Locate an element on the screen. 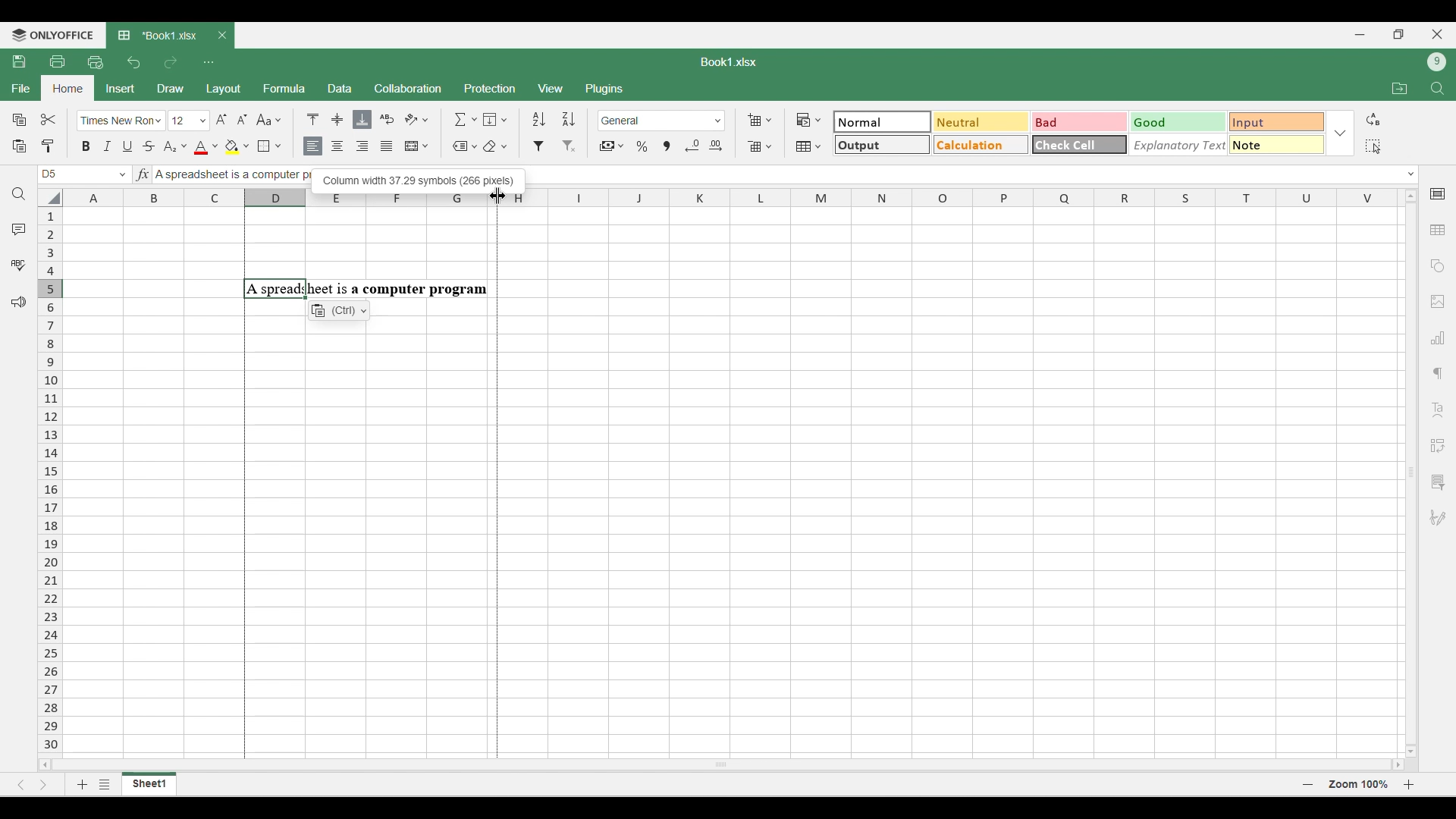 The image size is (1456, 819). Text color is located at coordinates (206, 148).